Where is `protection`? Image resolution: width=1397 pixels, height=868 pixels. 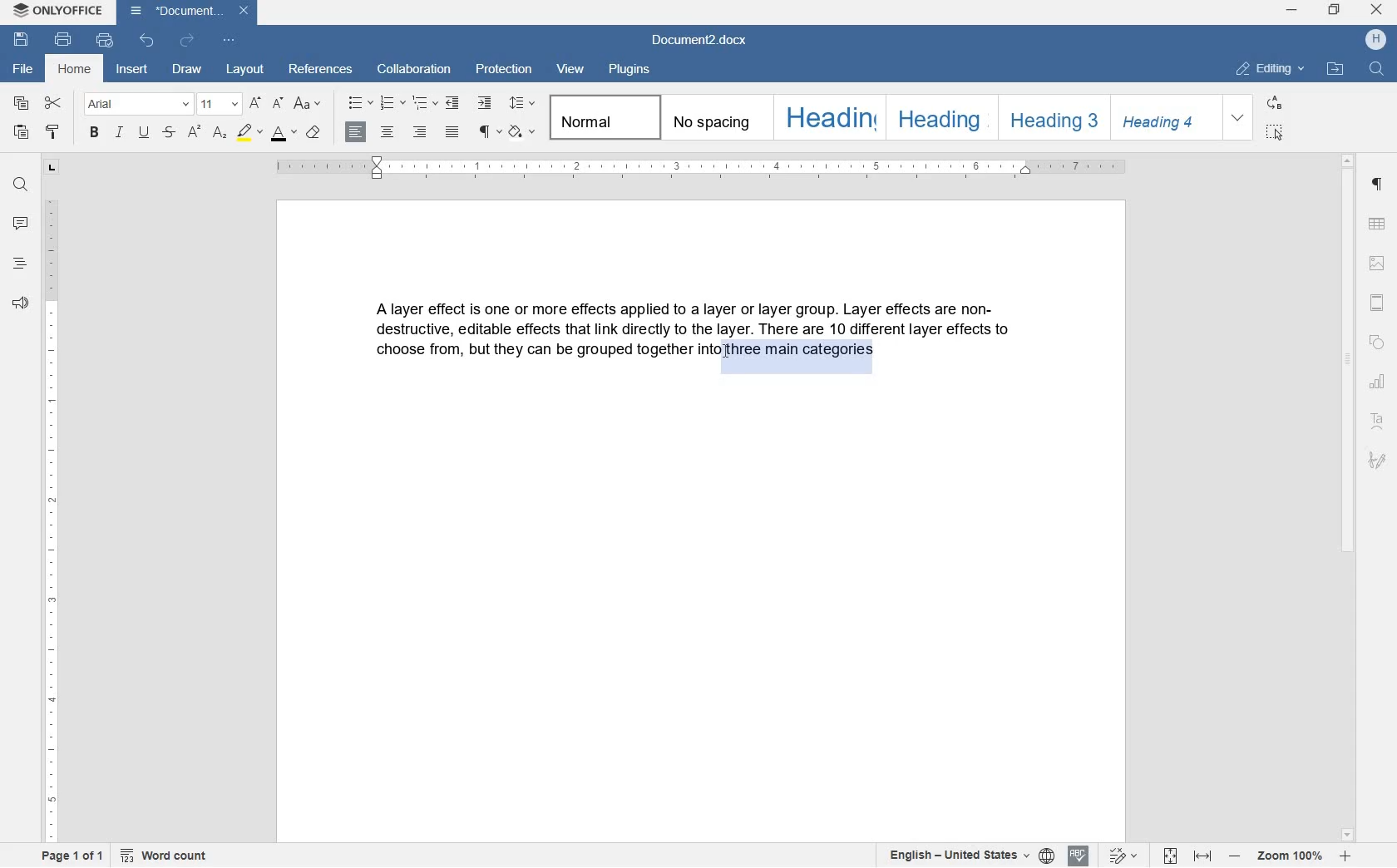
protection is located at coordinates (506, 71).